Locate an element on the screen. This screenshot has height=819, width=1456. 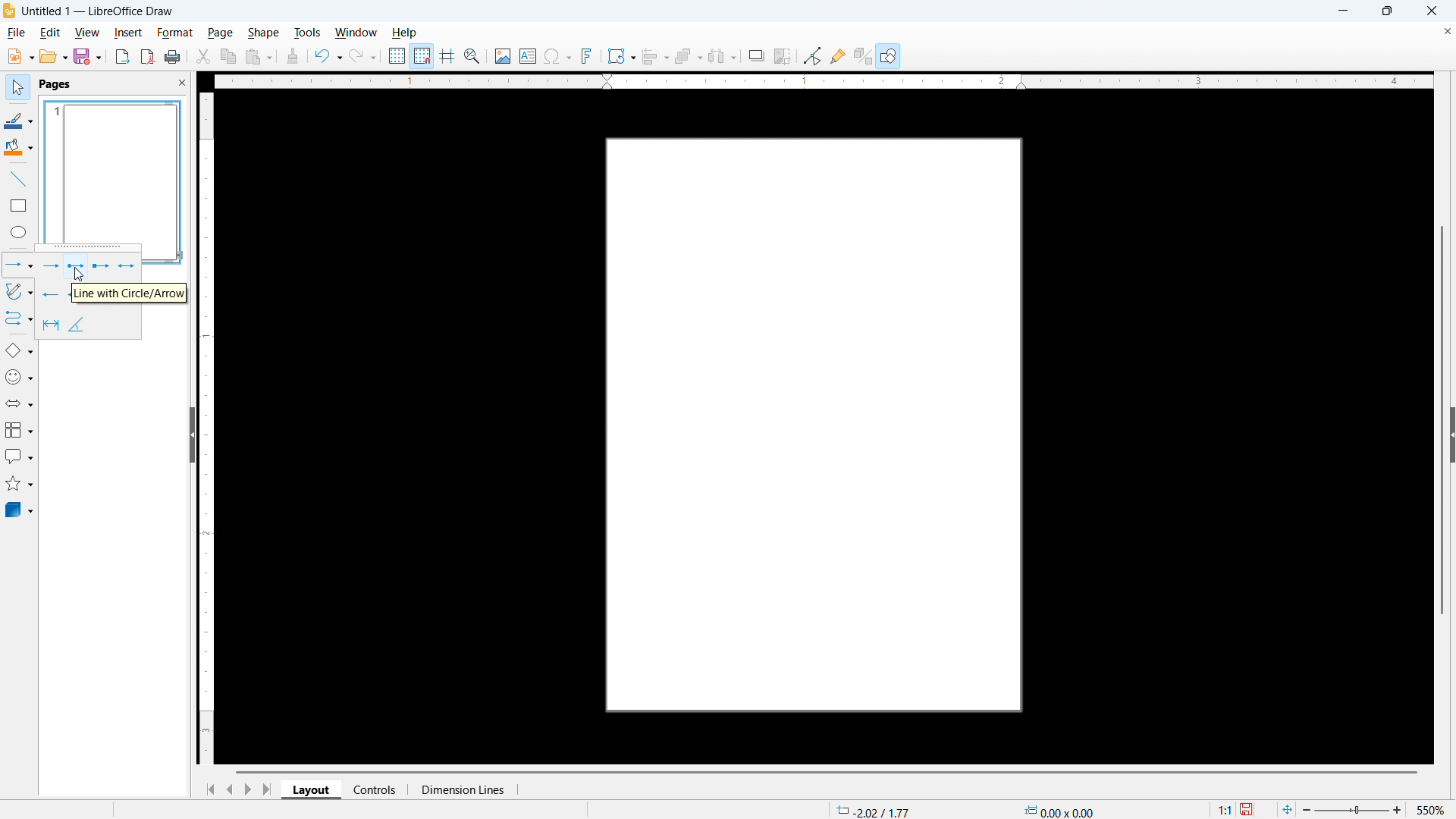
Next page  is located at coordinates (247, 789).